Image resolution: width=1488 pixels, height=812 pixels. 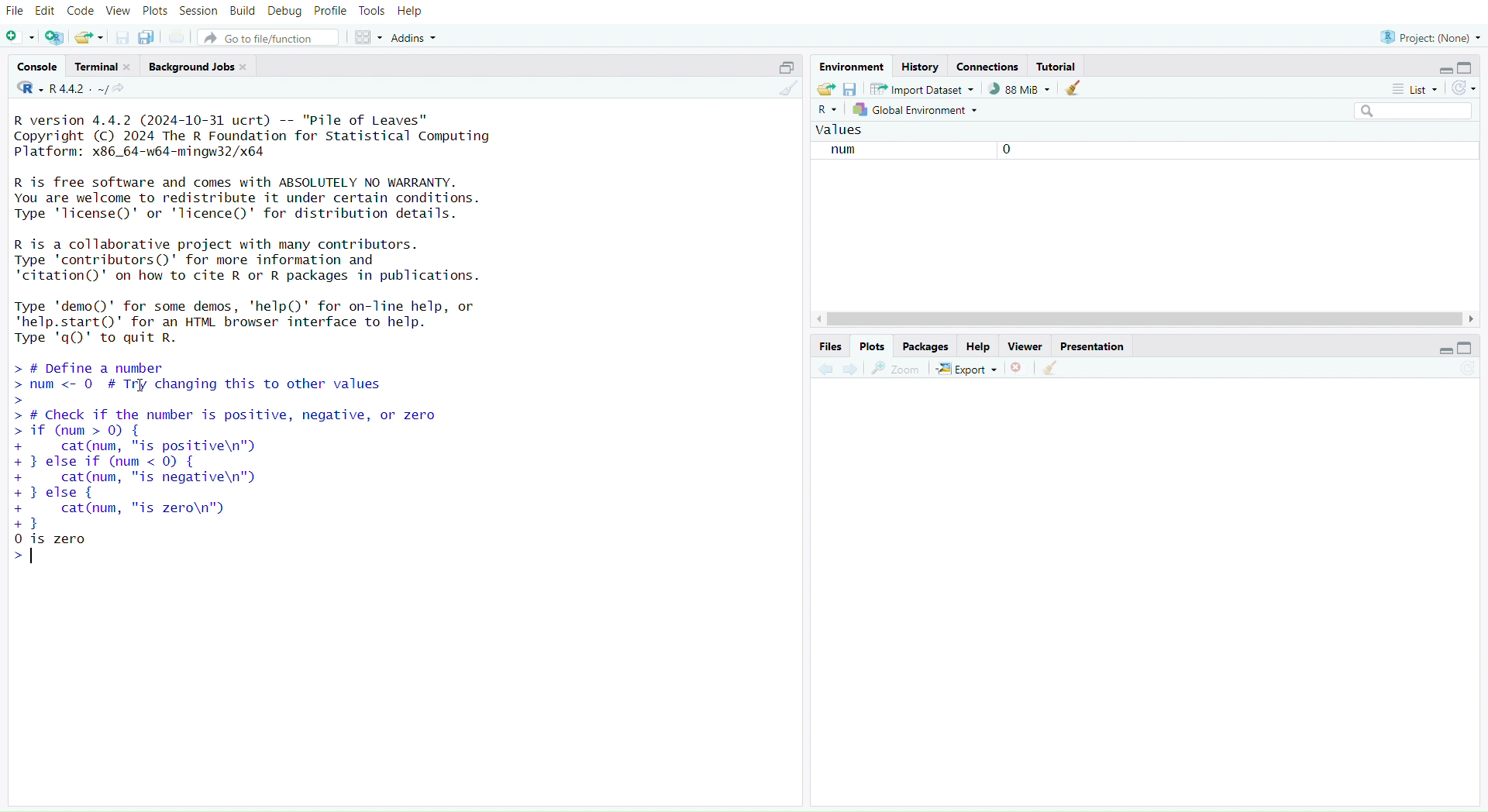 I want to click on expand, so click(x=1438, y=352).